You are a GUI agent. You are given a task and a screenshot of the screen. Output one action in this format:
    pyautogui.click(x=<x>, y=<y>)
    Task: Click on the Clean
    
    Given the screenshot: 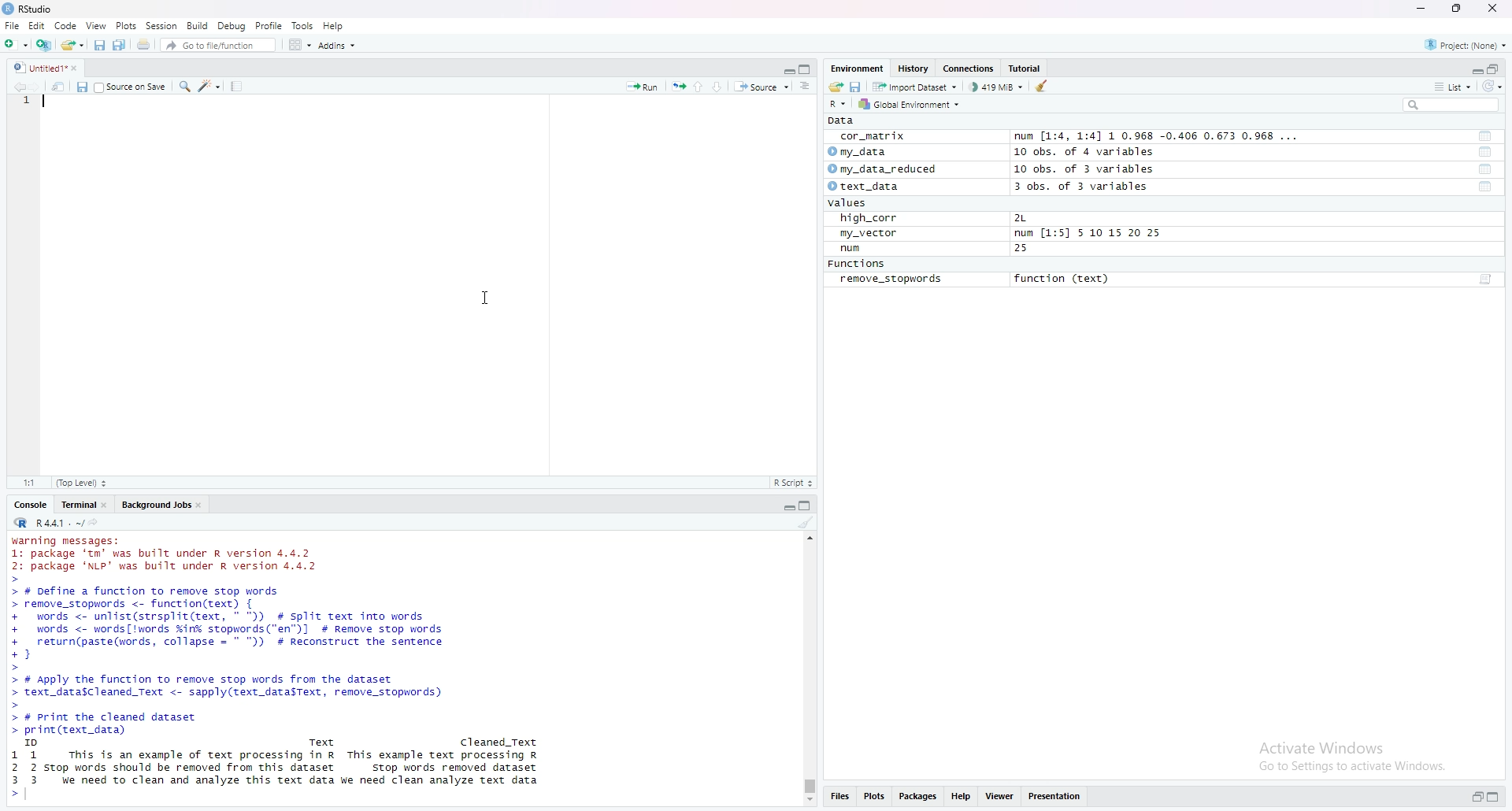 What is the action you would take?
    pyautogui.click(x=807, y=524)
    